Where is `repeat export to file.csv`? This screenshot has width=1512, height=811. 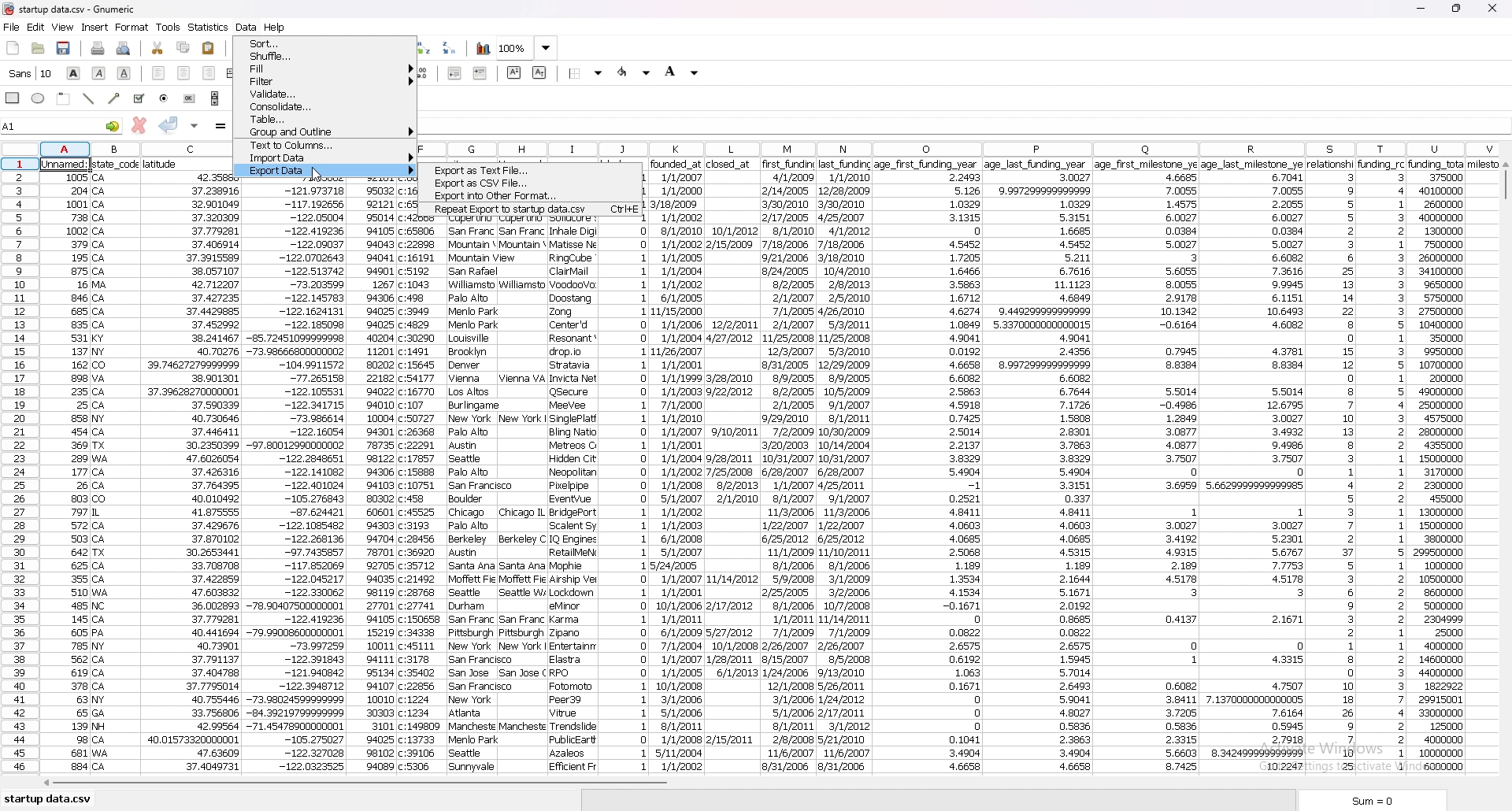
repeat export to file.csv is located at coordinates (529, 209).